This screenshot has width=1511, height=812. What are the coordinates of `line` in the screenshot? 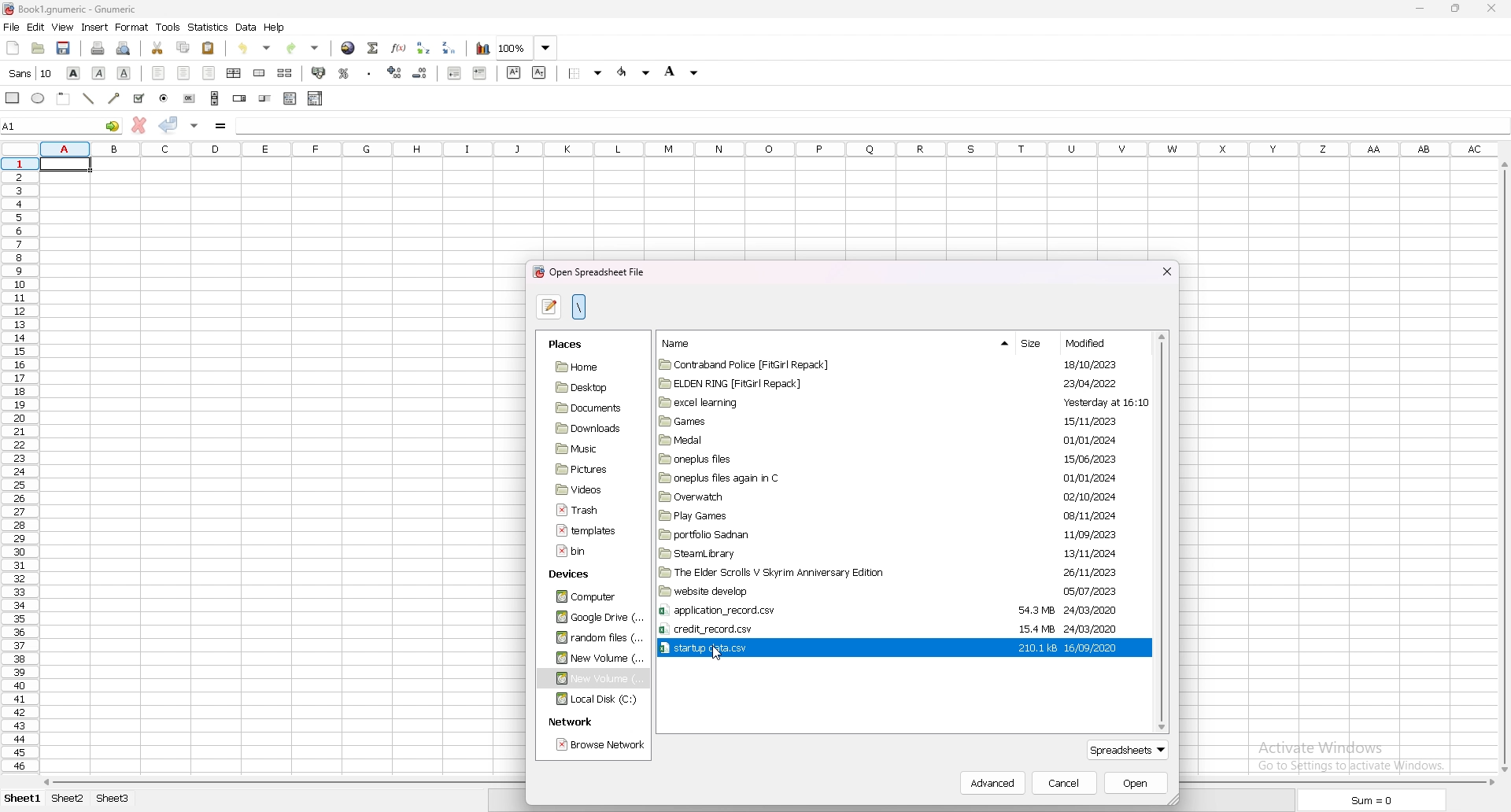 It's located at (89, 98).